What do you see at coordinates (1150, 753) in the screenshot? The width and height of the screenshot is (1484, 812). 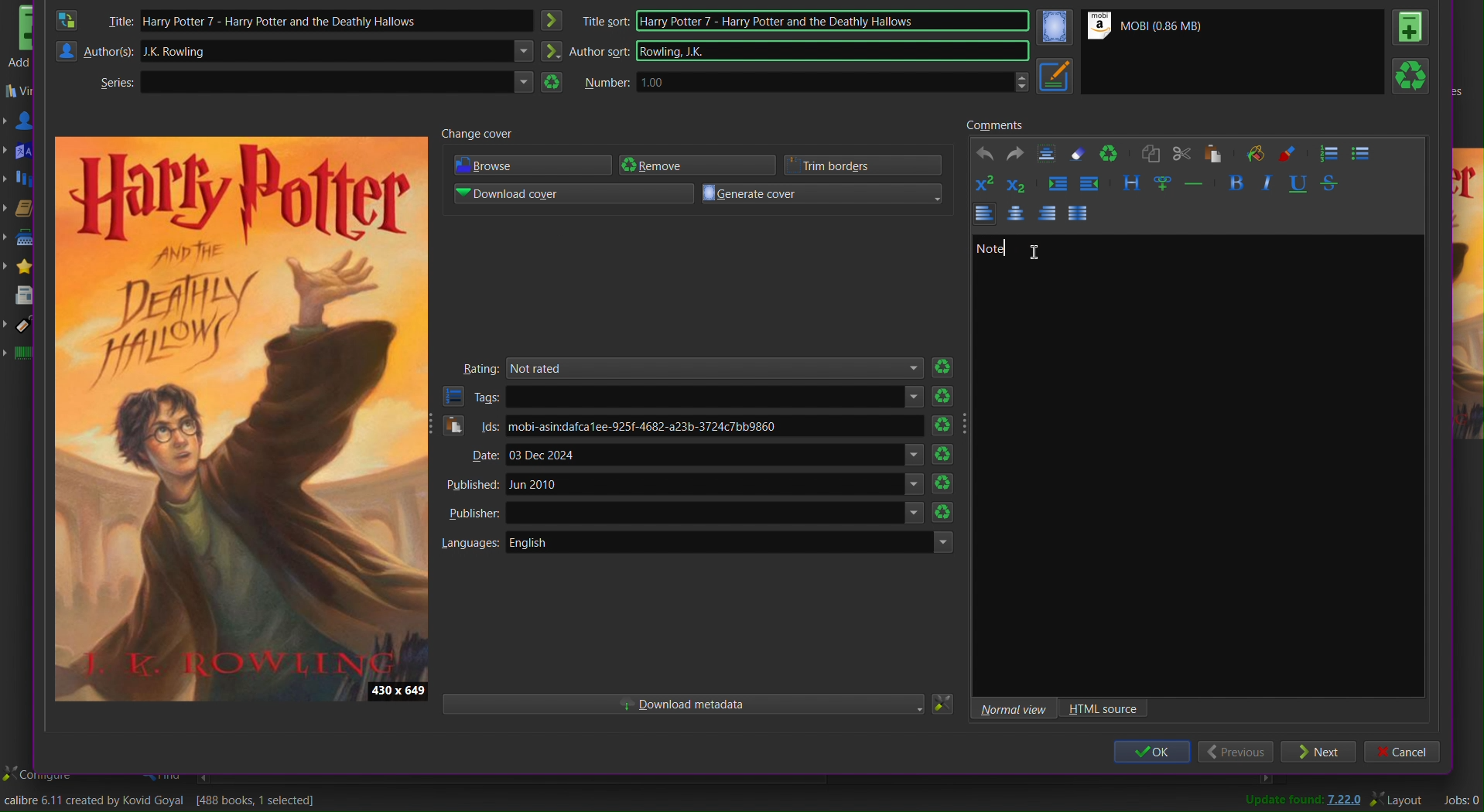 I see `OK` at bounding box center [1150, 753].